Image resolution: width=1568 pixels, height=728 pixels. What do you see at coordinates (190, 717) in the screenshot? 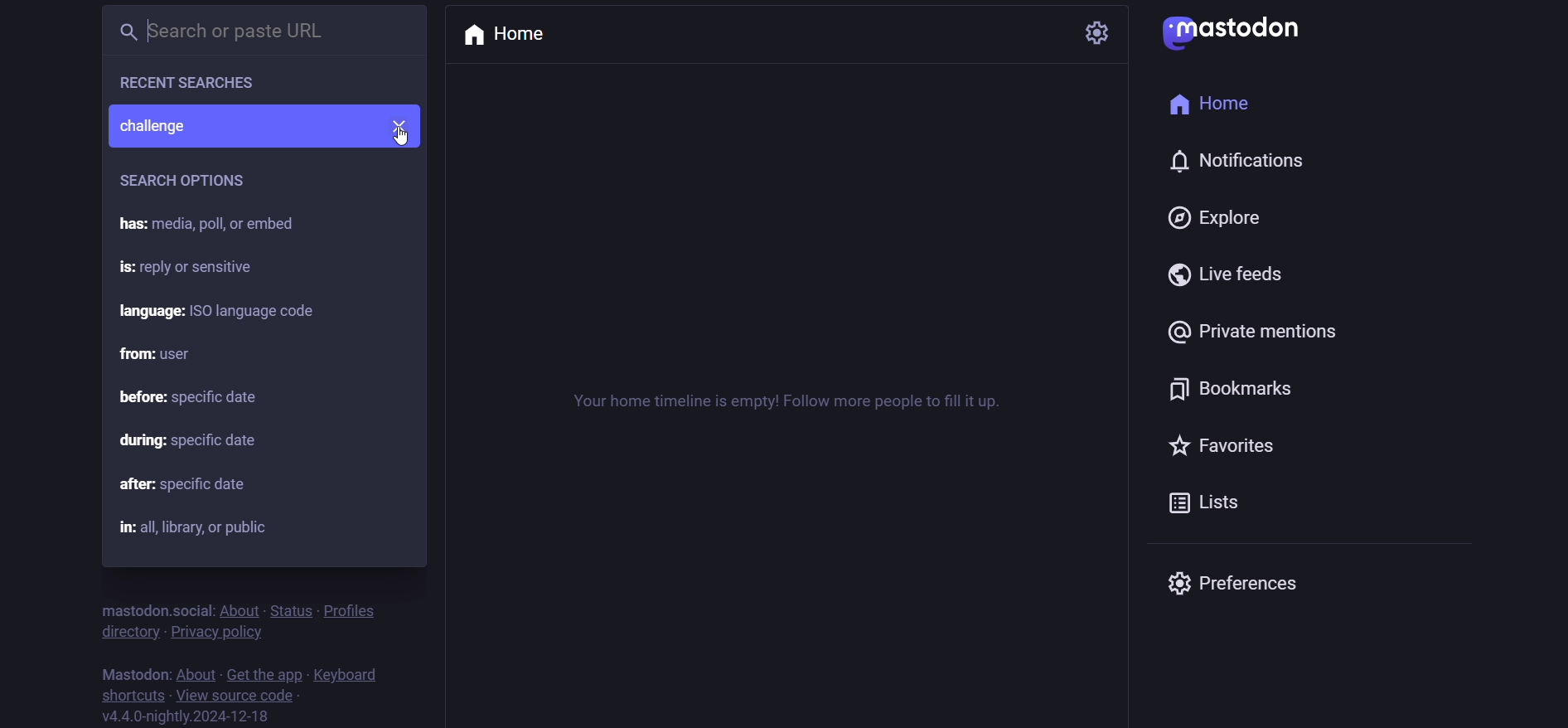
I see `version` at bounding box center [190, 717].